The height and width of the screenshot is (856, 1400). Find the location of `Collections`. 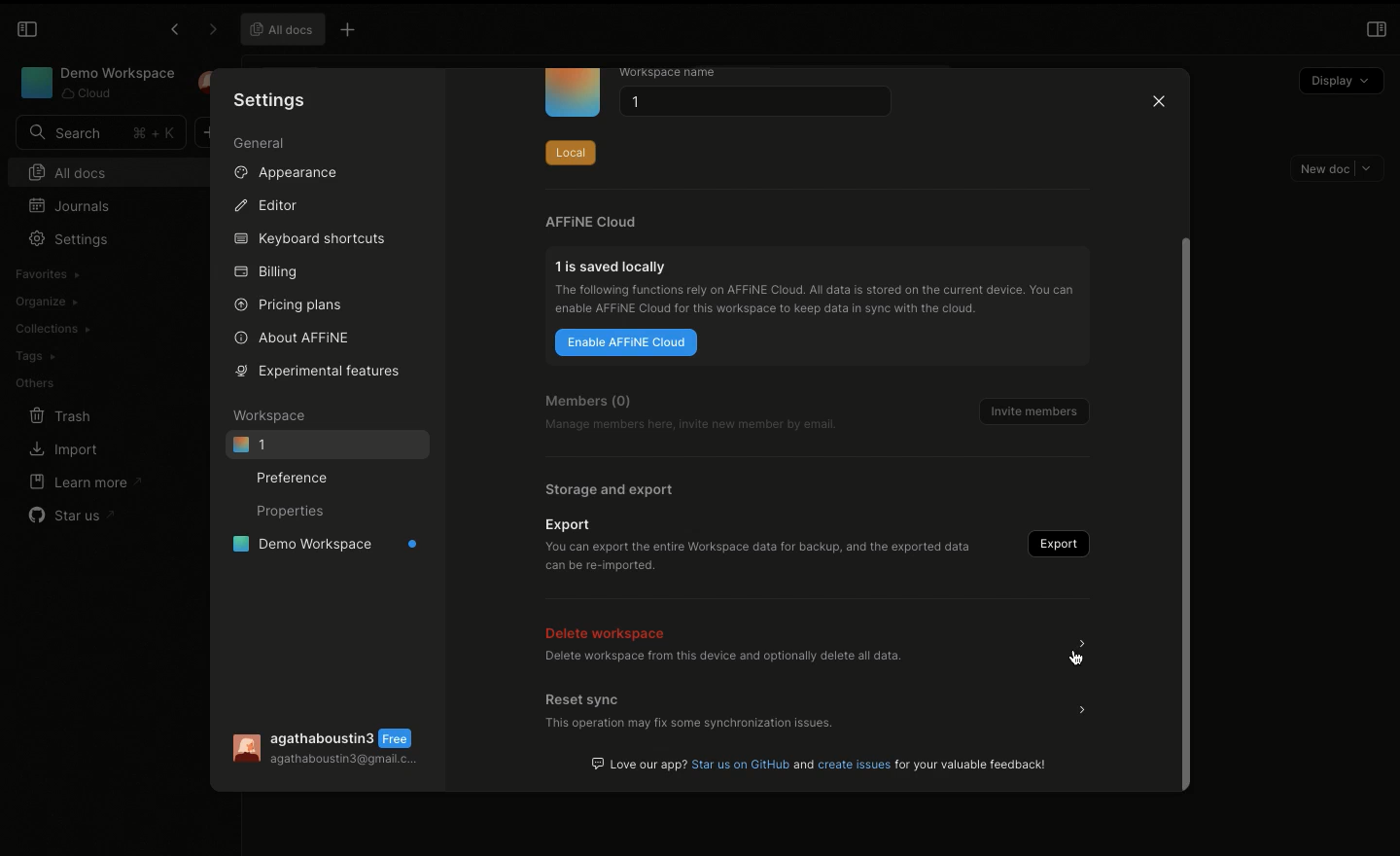

Collections is located at coordinates (52, 329).